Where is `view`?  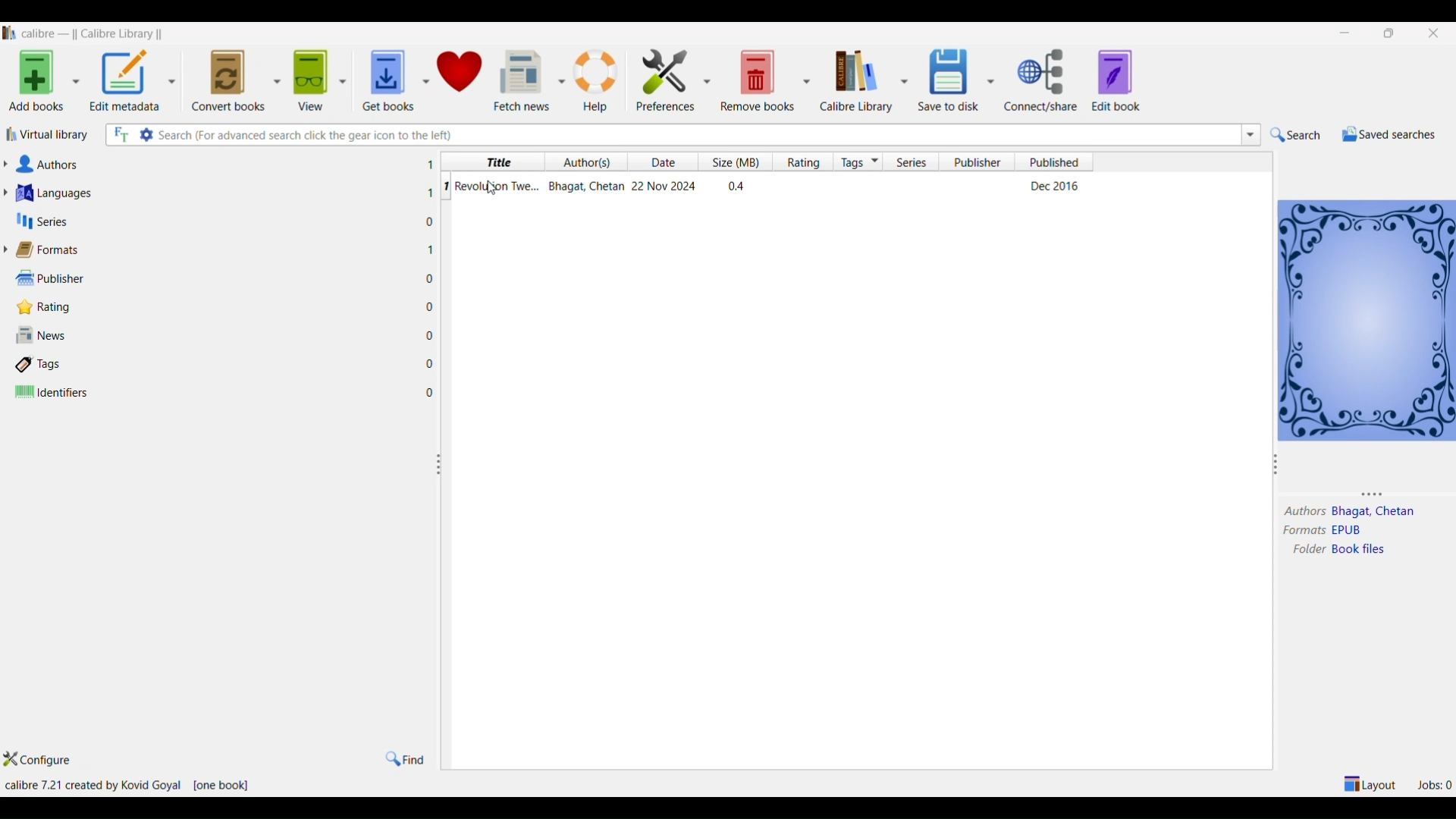 view is located at coordinates (308, 76).